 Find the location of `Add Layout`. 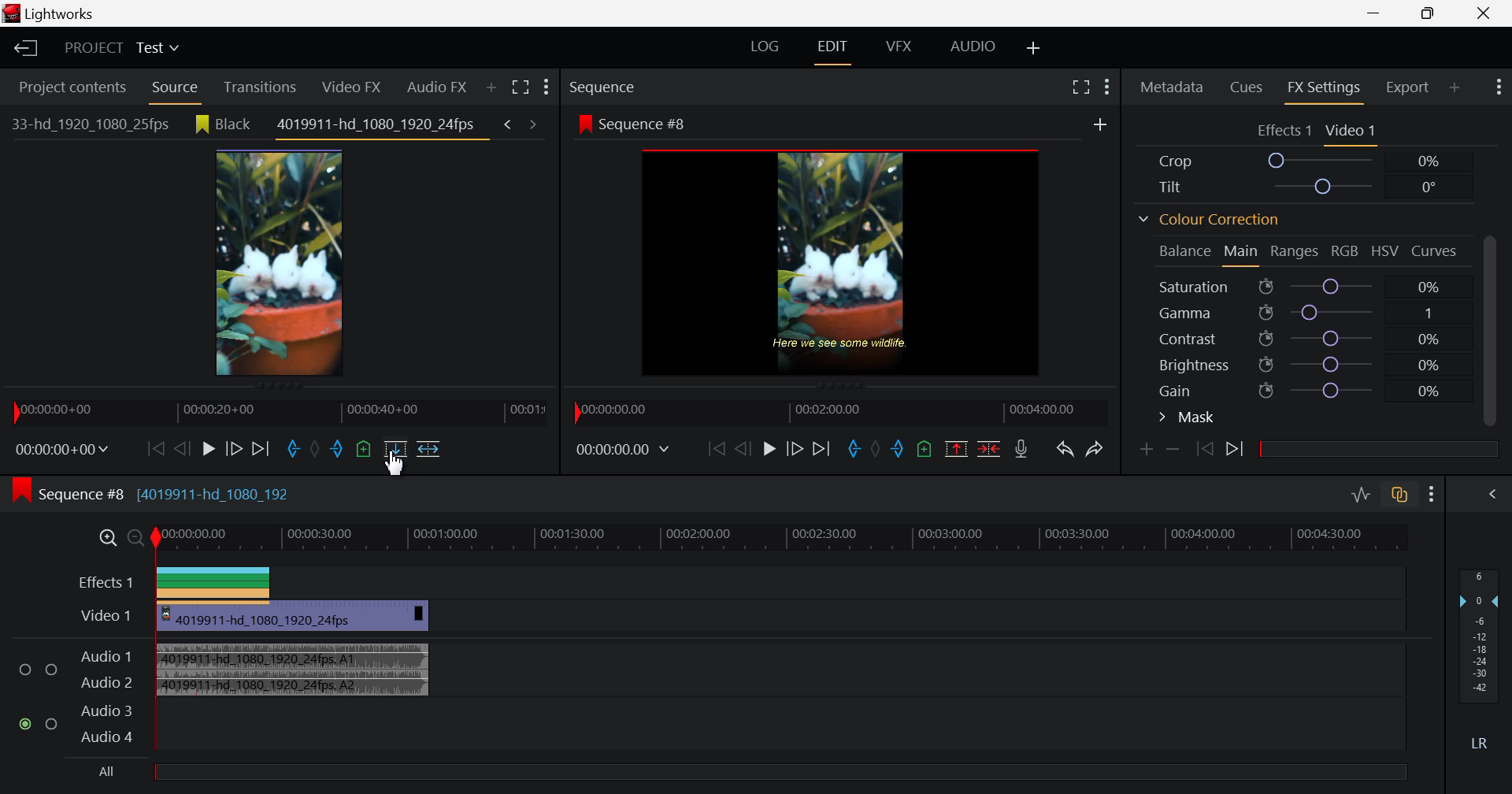

Add Layout is located at coordinates (1034, 46).